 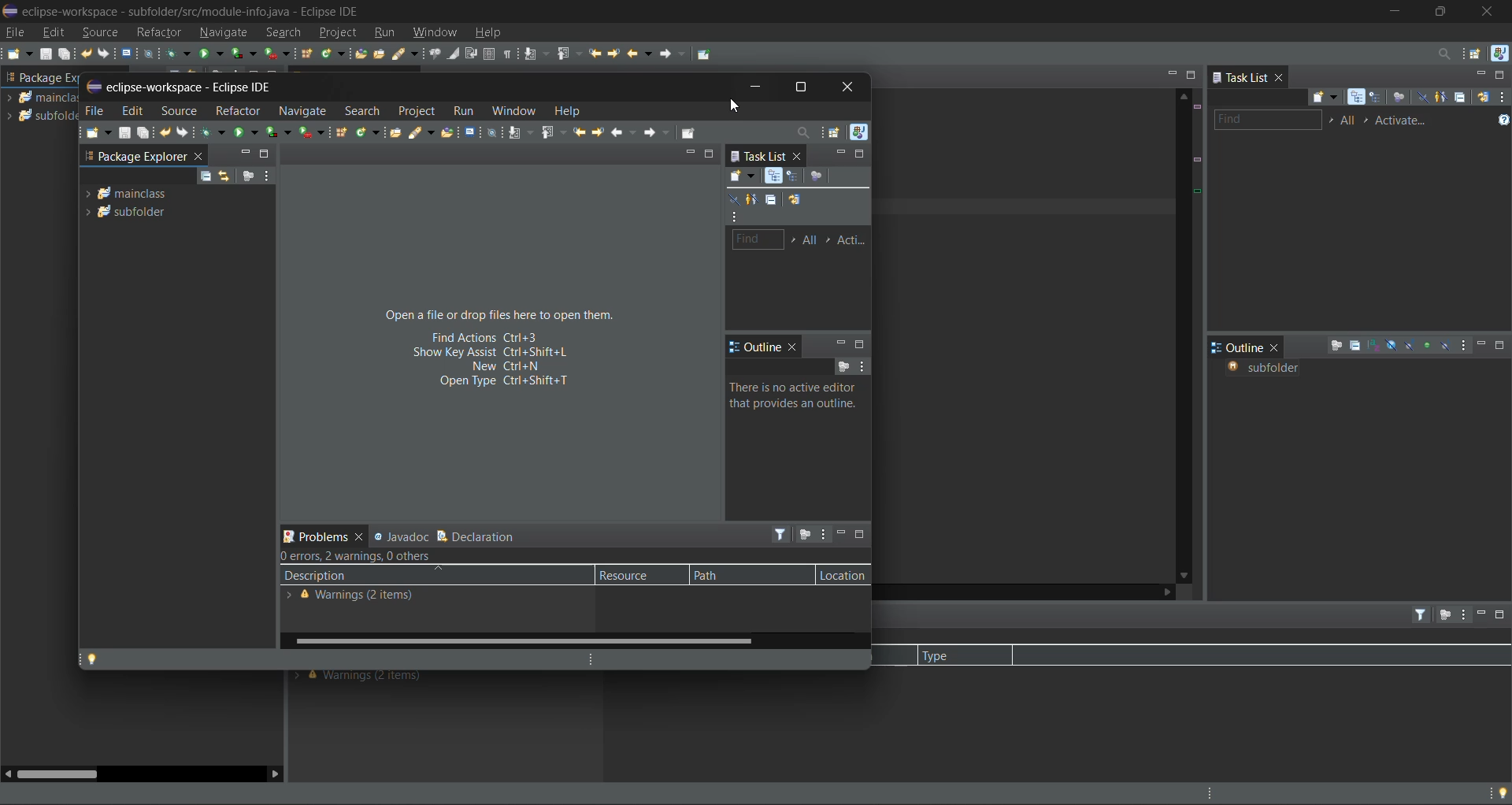 I want to click on maximize, so click(x=265, y=153).